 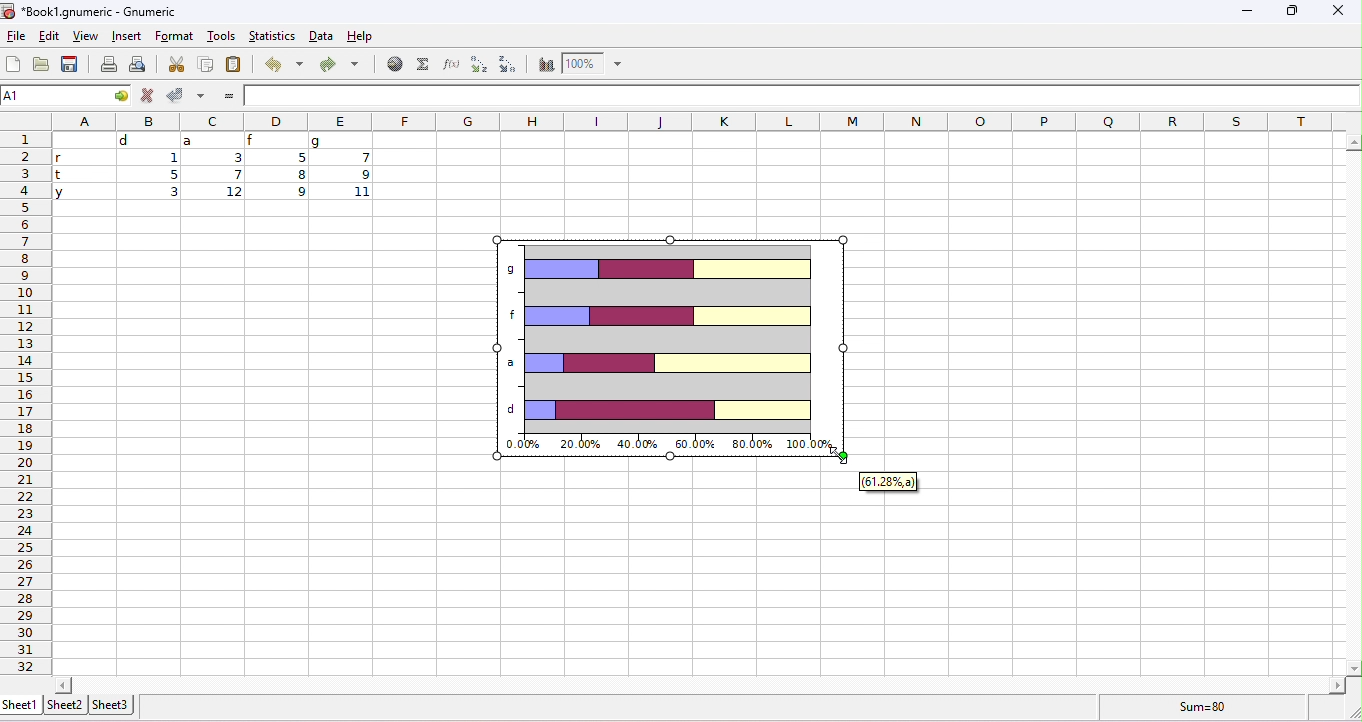 What do you see at coordinates (117, 96) in the screenshot?
I see `cell options` at bounding box center [117, 96].